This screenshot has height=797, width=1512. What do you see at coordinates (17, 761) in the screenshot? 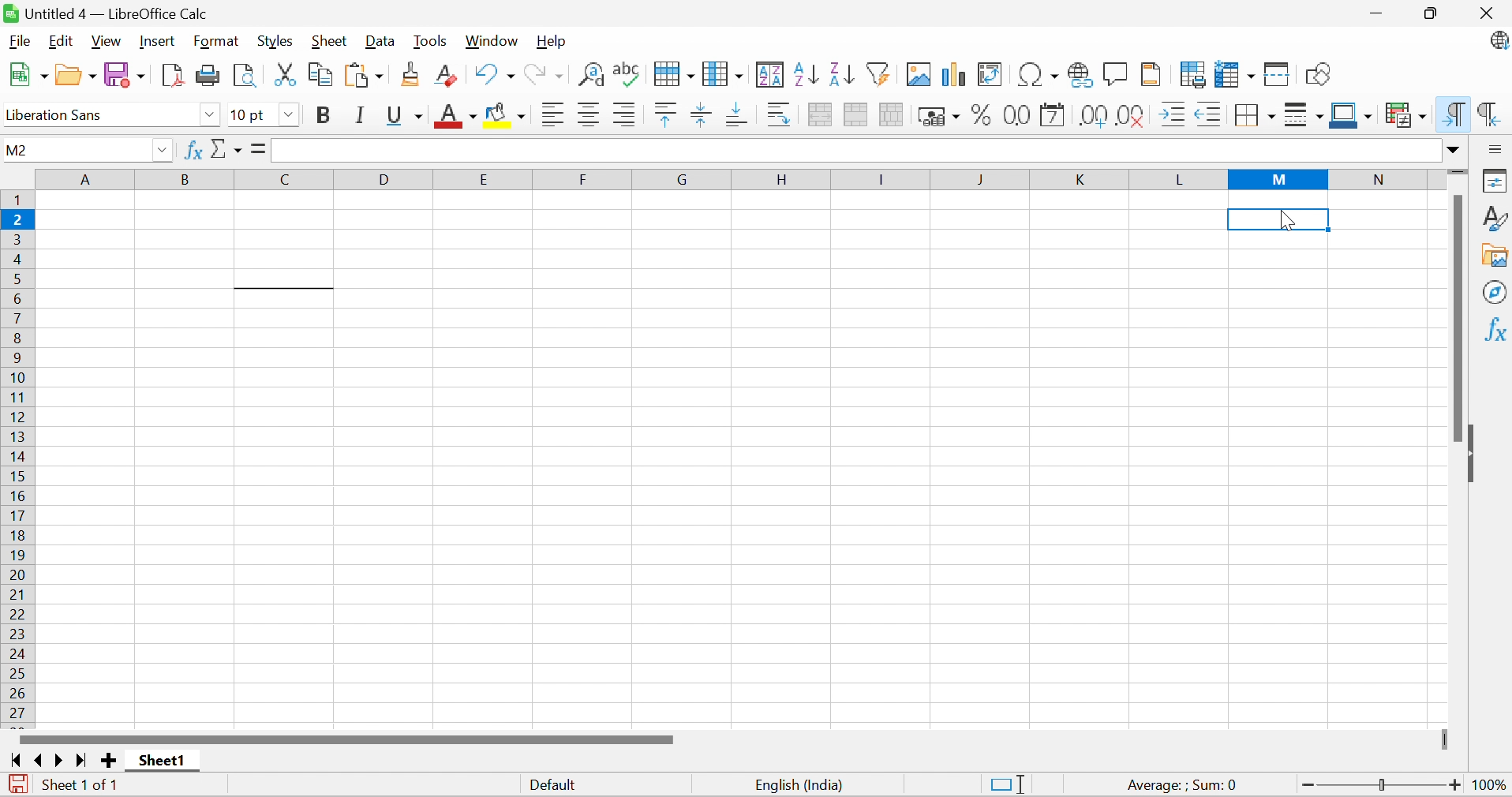
I see `Scroll to first sheet` at bounding box center [17, 761].